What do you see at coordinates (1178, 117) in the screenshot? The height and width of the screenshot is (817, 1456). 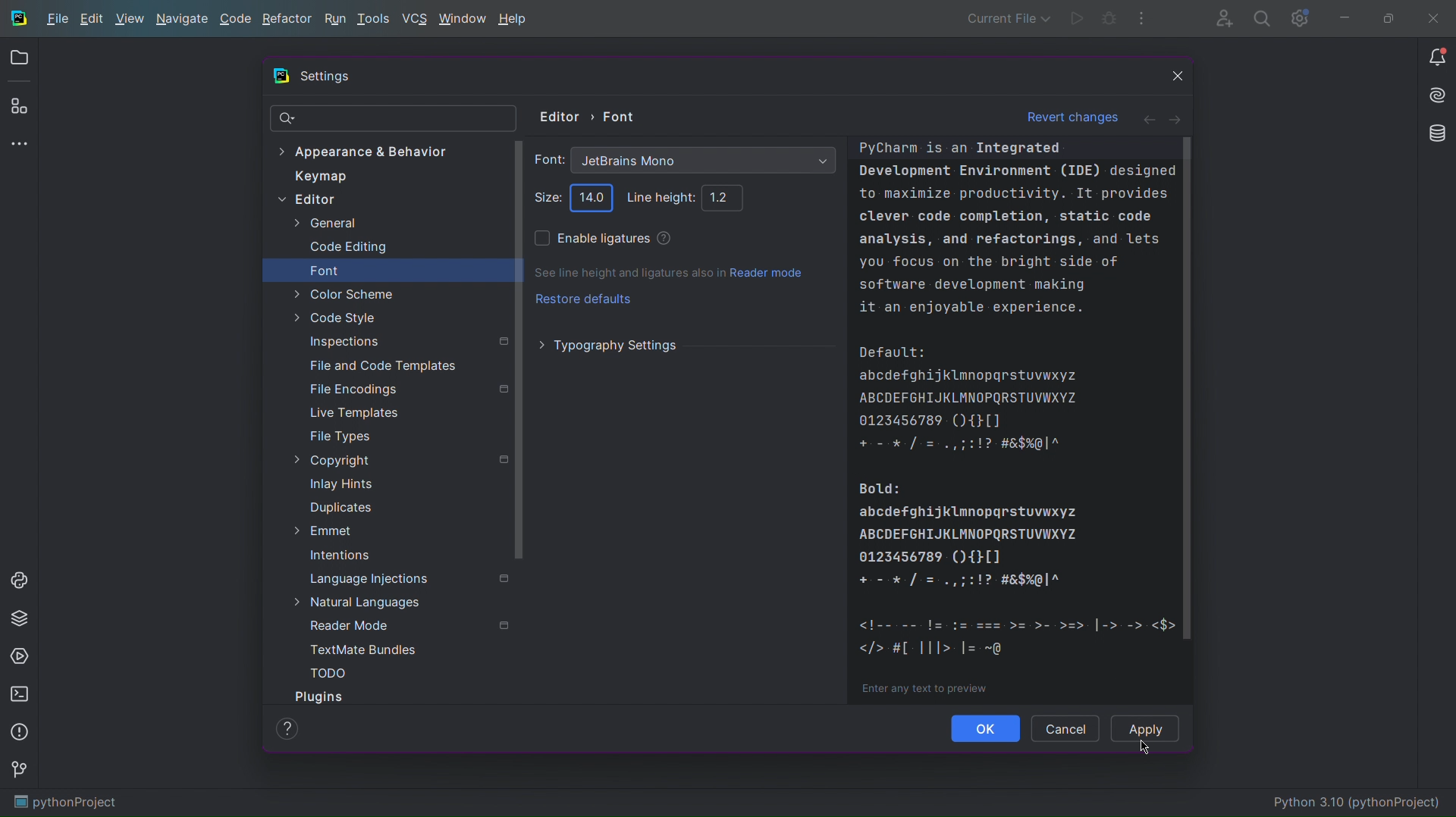 I see `Next` at bounding box center [1178, 117].